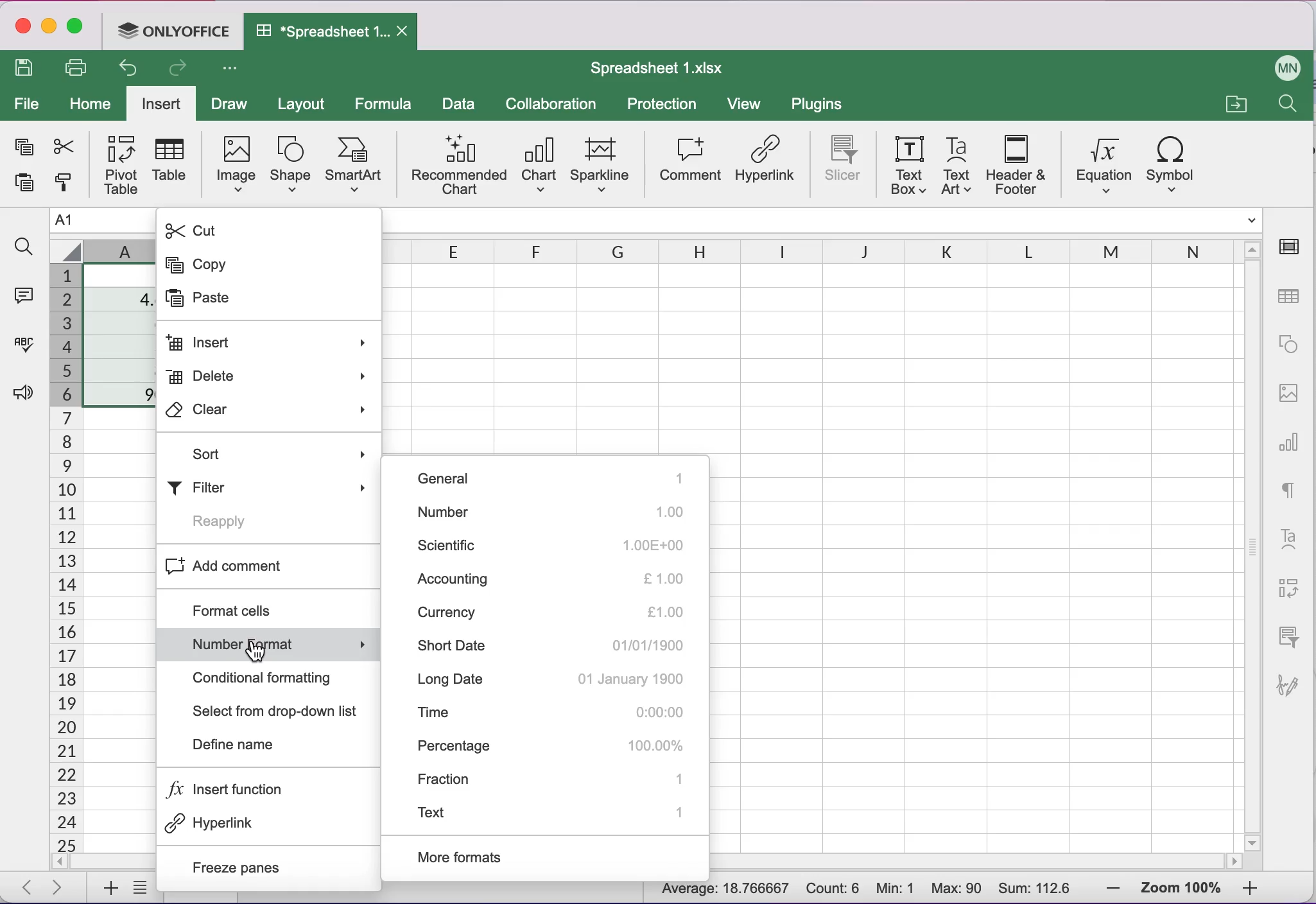  I want to click on Hyperlink, so click(261, 824).